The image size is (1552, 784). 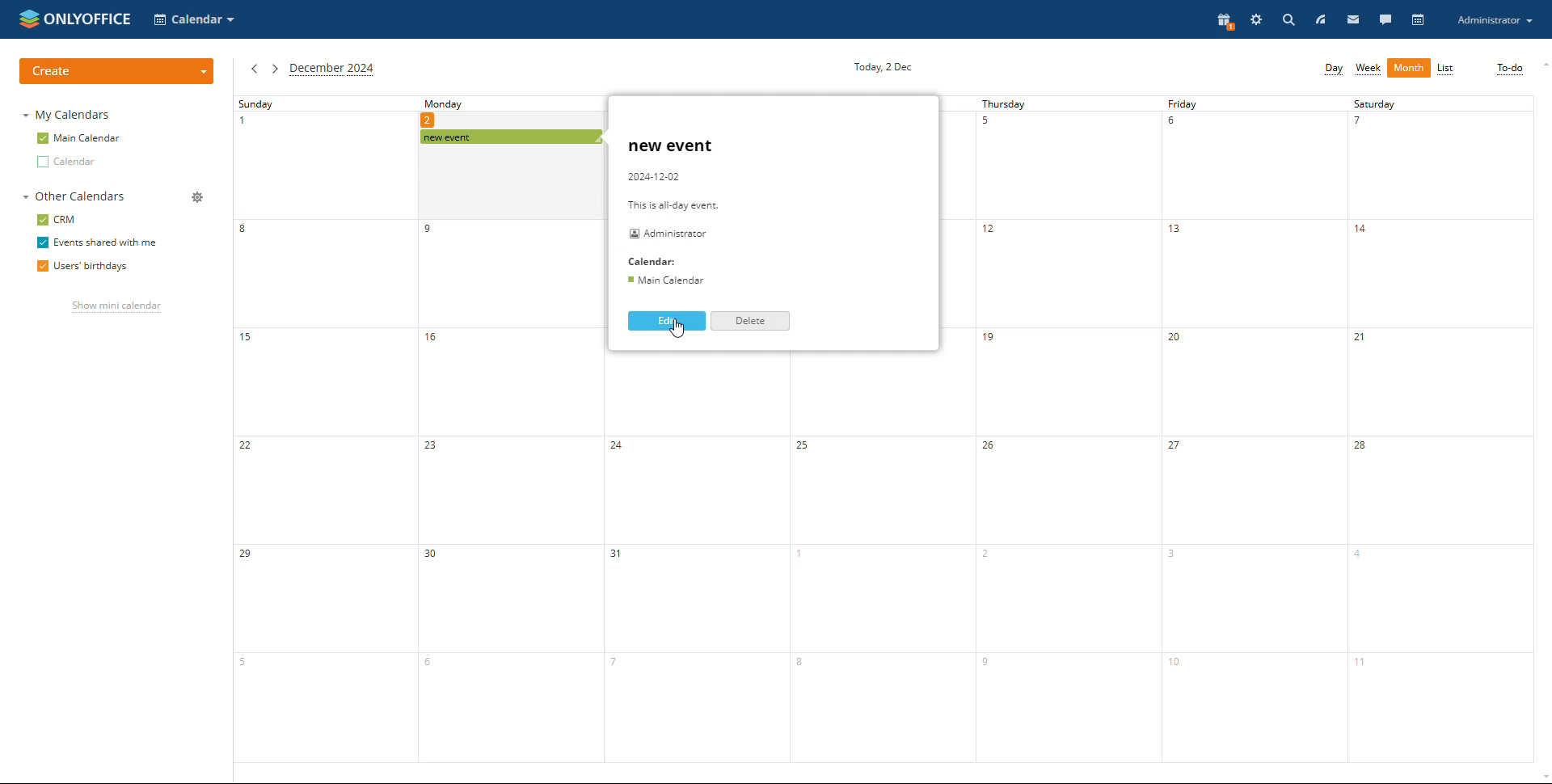 What do you see at coordinates (197, 197) in the screenshot?
I see `manage` at bounding box center [197, 197].